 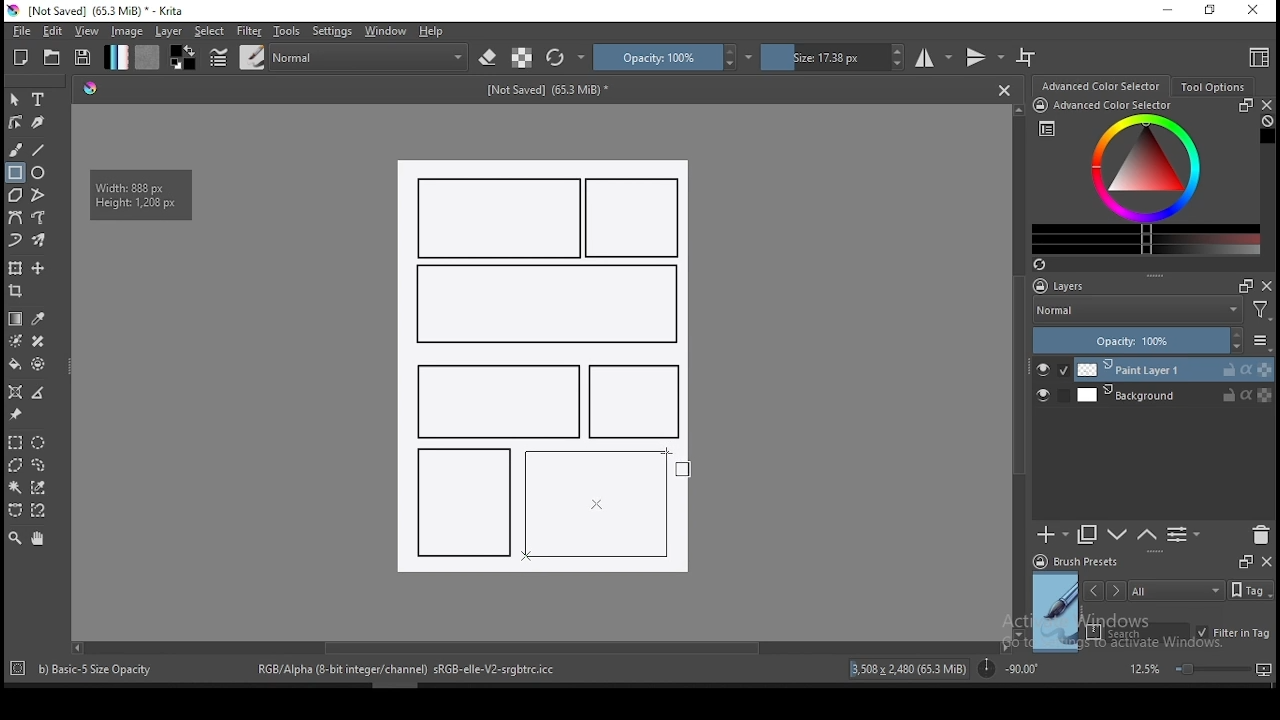 What do you see at coordinates (38, 364) in the screenshot?
I see `enclose and fill tool` at bounding box center [38, 364].